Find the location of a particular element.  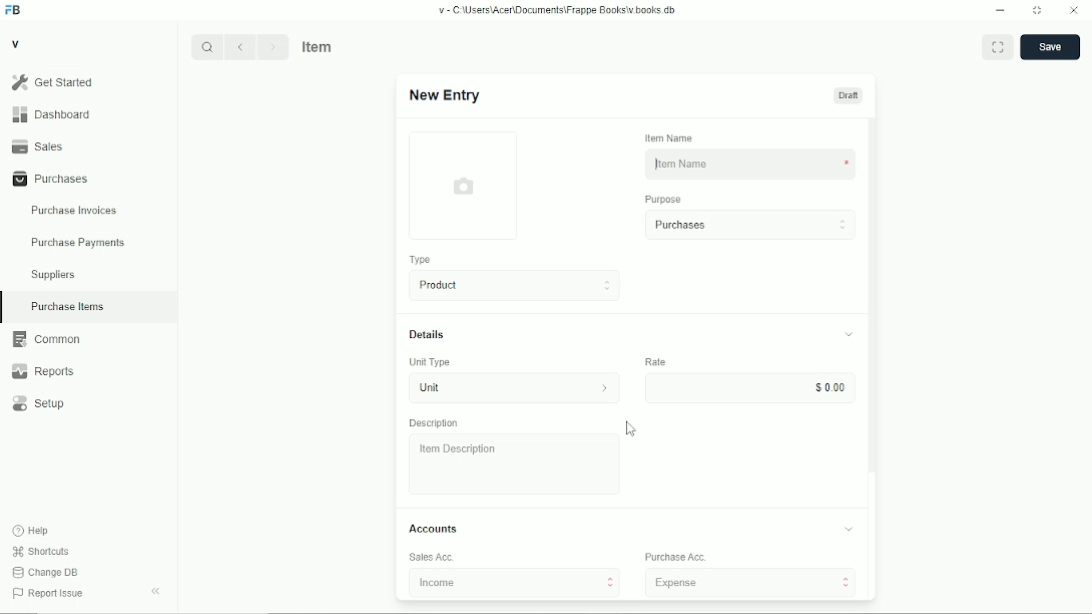

unit information is located at coordinates (605, 387).